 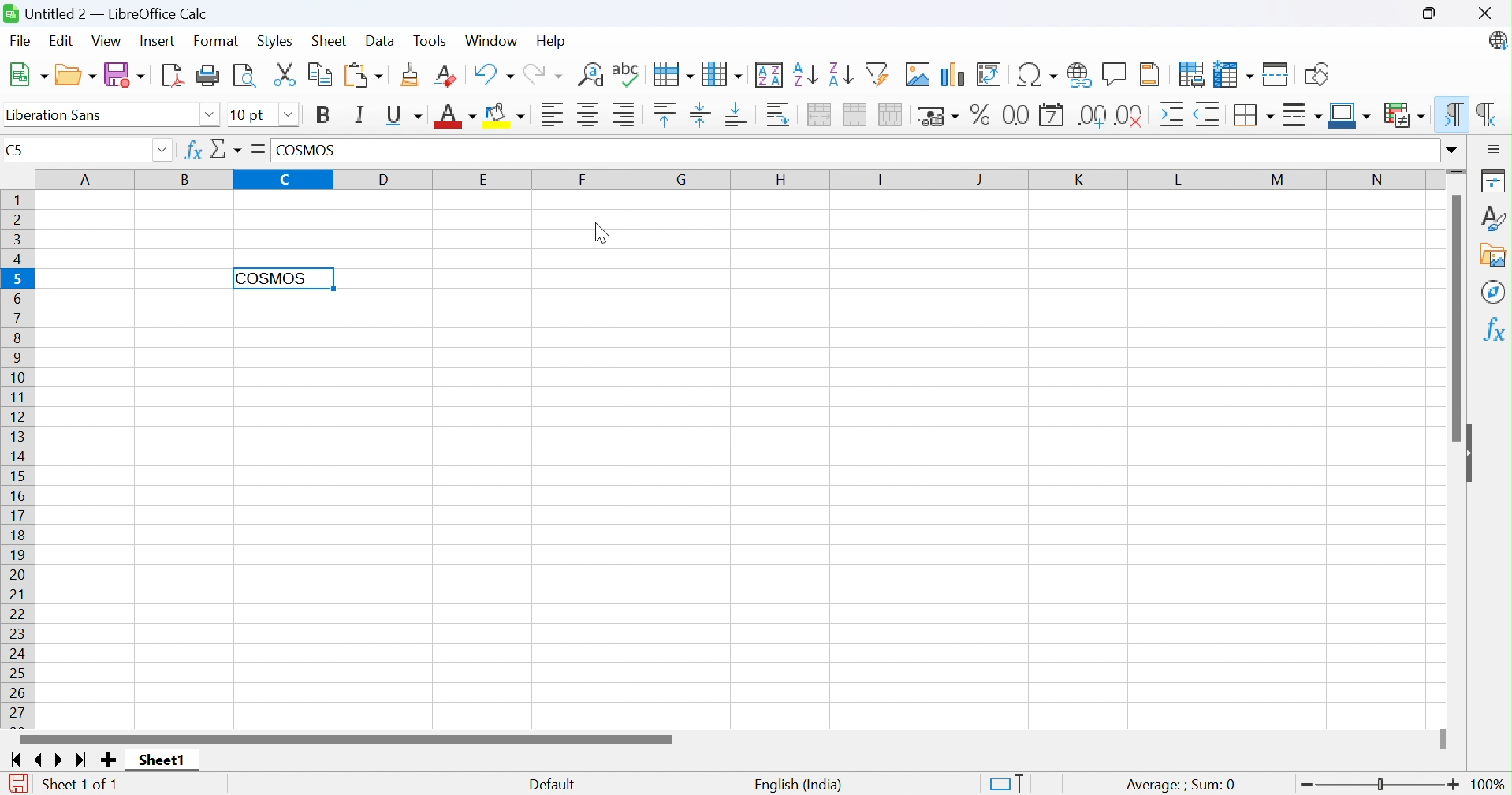 What do you see at coordinates (22, 784) in the screenshot?
I see `The document has been modified. Click to save the document.` at bounding box center [22, 784].